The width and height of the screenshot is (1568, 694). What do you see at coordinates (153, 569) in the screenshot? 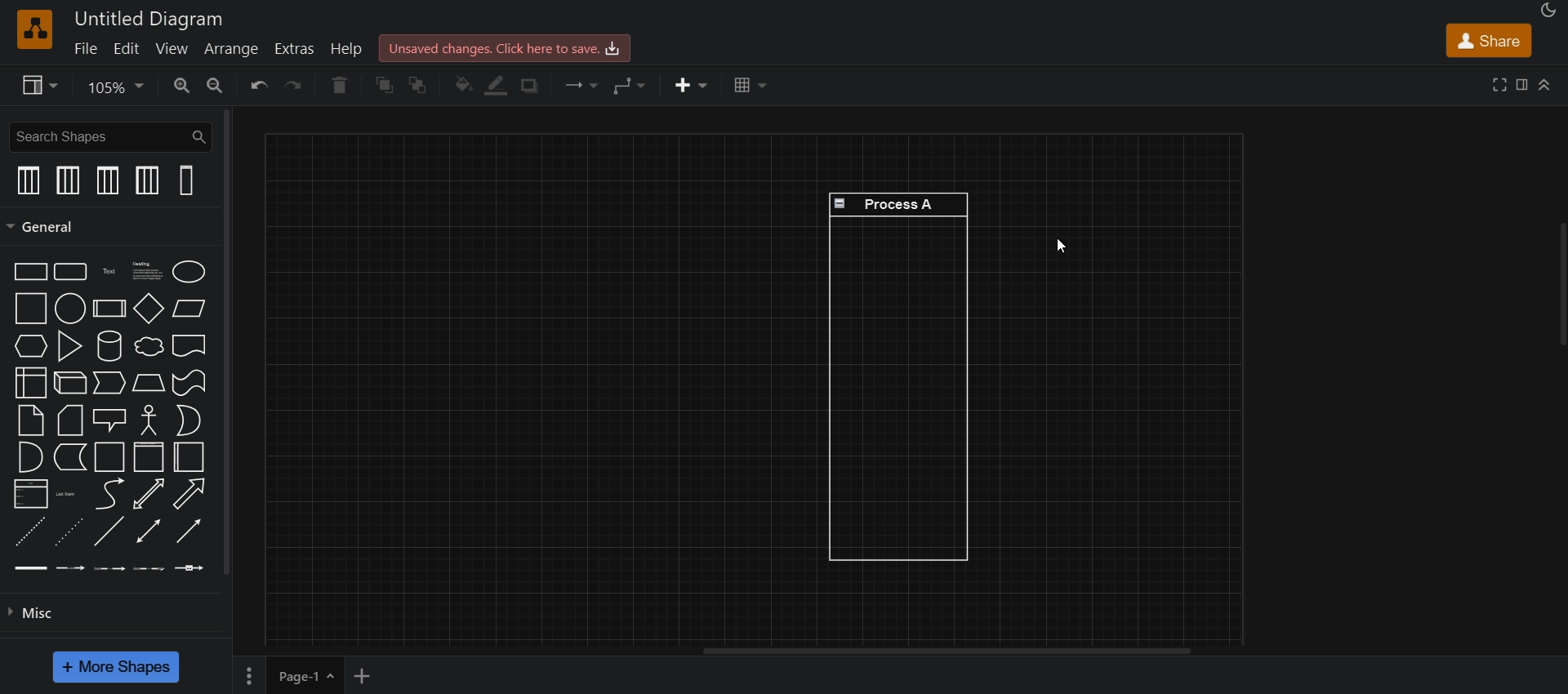
I see `connector with 3 labels` at bounding box center [153, 569].